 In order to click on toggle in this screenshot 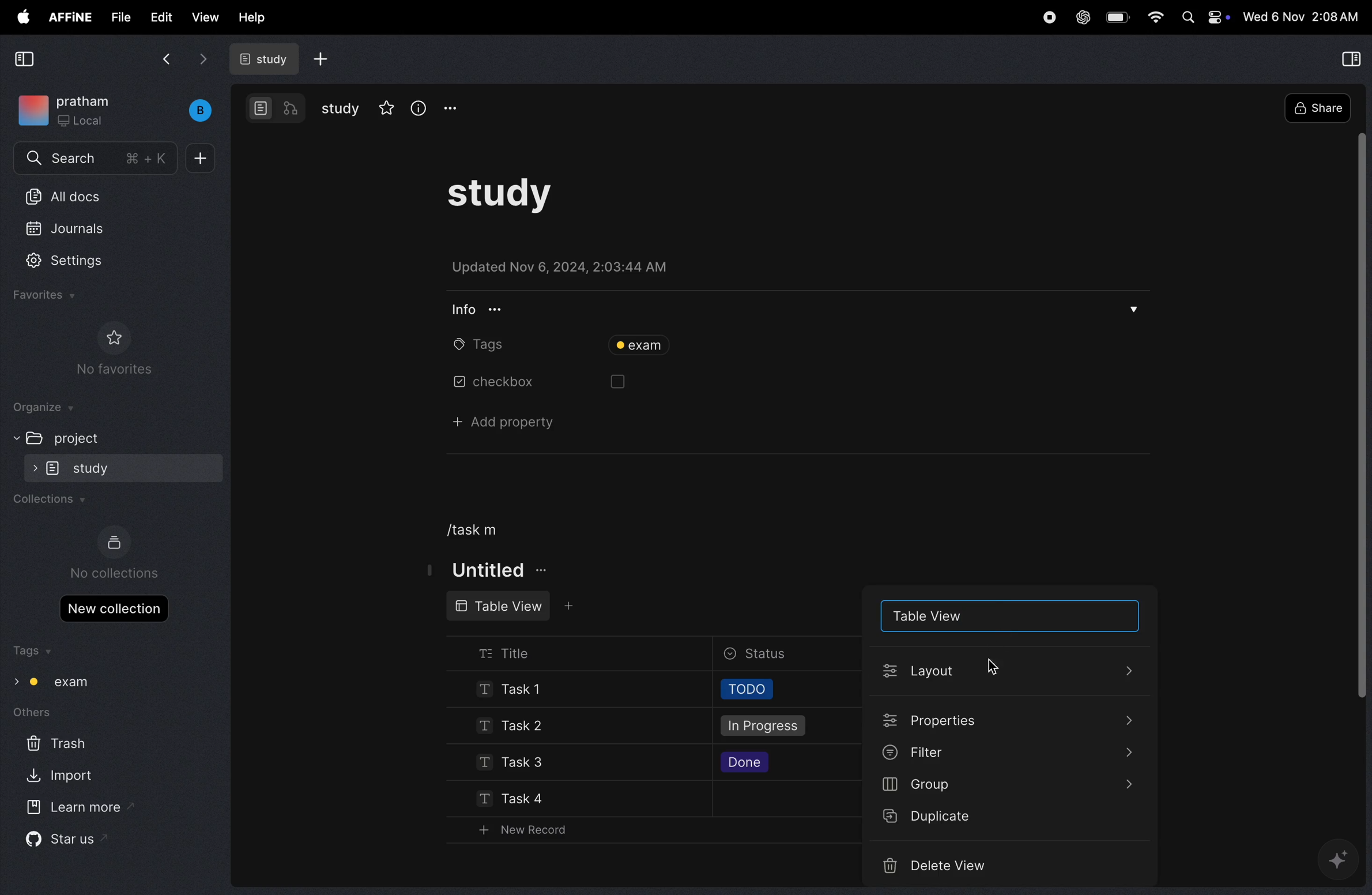, I will do `click(1359, 416)`.